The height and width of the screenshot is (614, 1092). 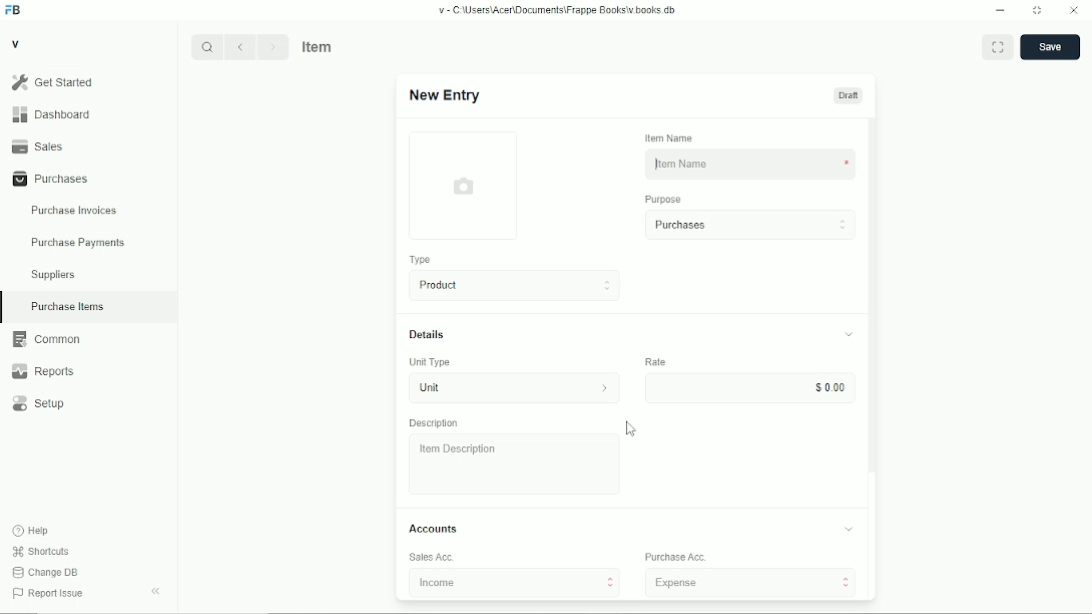 I want to click on rate, so click(x=655, y=361).